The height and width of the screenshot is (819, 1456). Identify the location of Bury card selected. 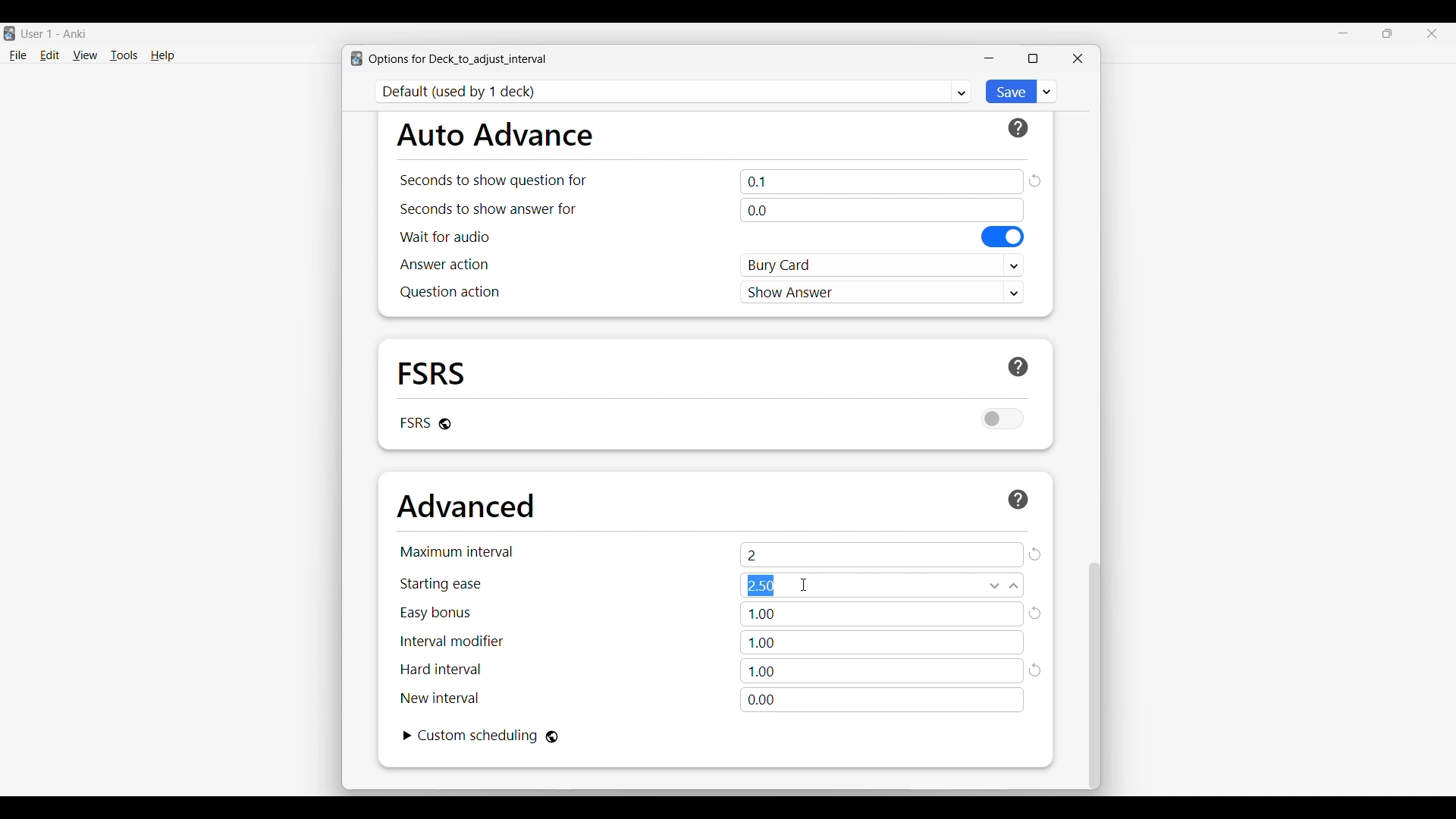
(883, 265).